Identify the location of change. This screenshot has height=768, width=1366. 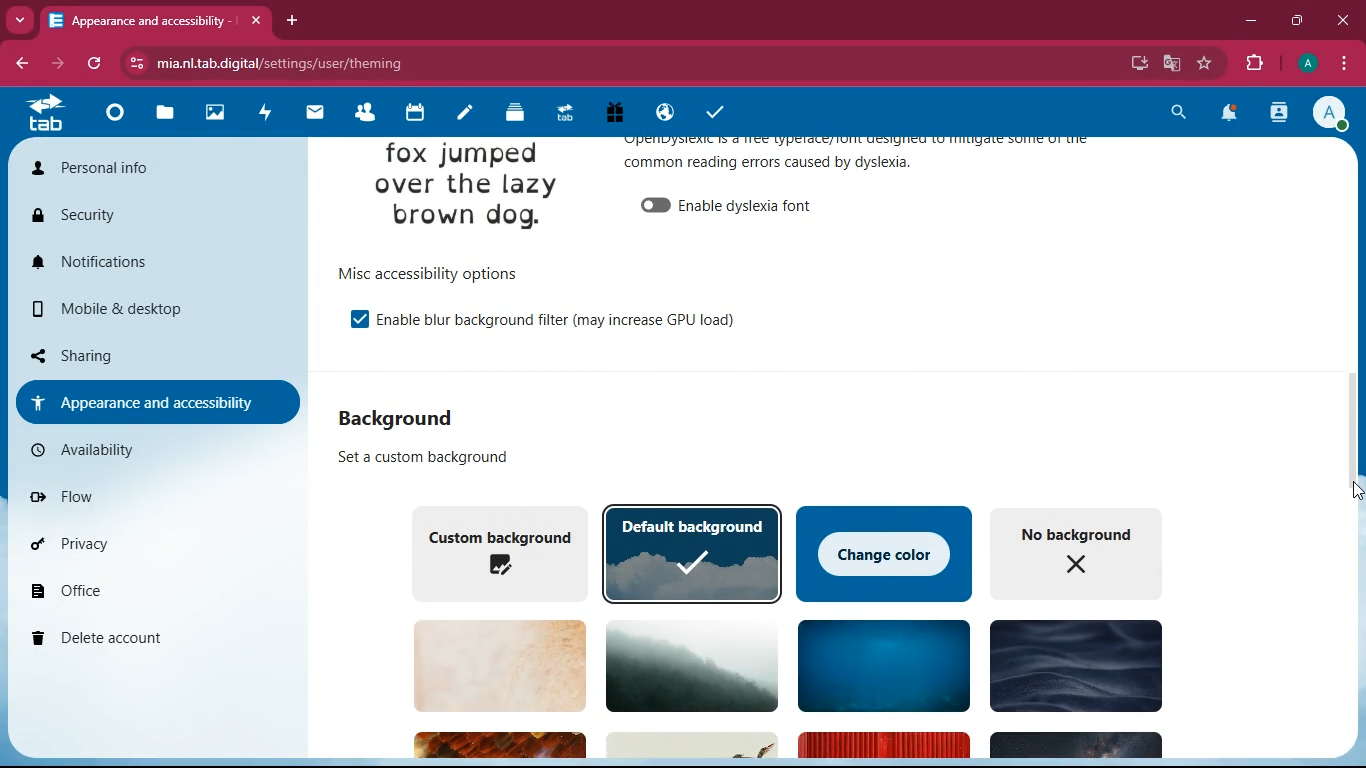
(882, 552).